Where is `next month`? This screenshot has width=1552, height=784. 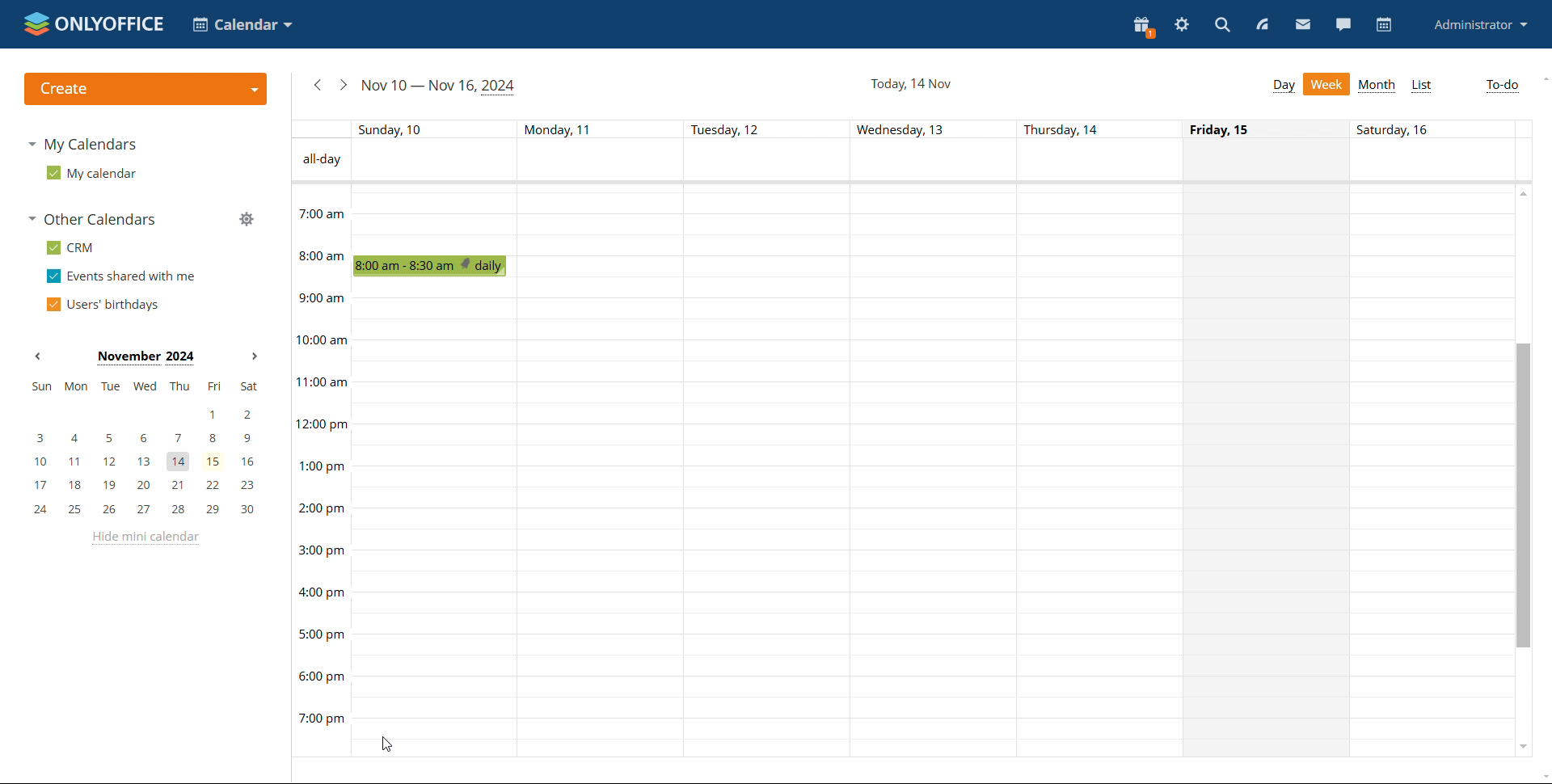
next month is located at coordinates (252, 357).